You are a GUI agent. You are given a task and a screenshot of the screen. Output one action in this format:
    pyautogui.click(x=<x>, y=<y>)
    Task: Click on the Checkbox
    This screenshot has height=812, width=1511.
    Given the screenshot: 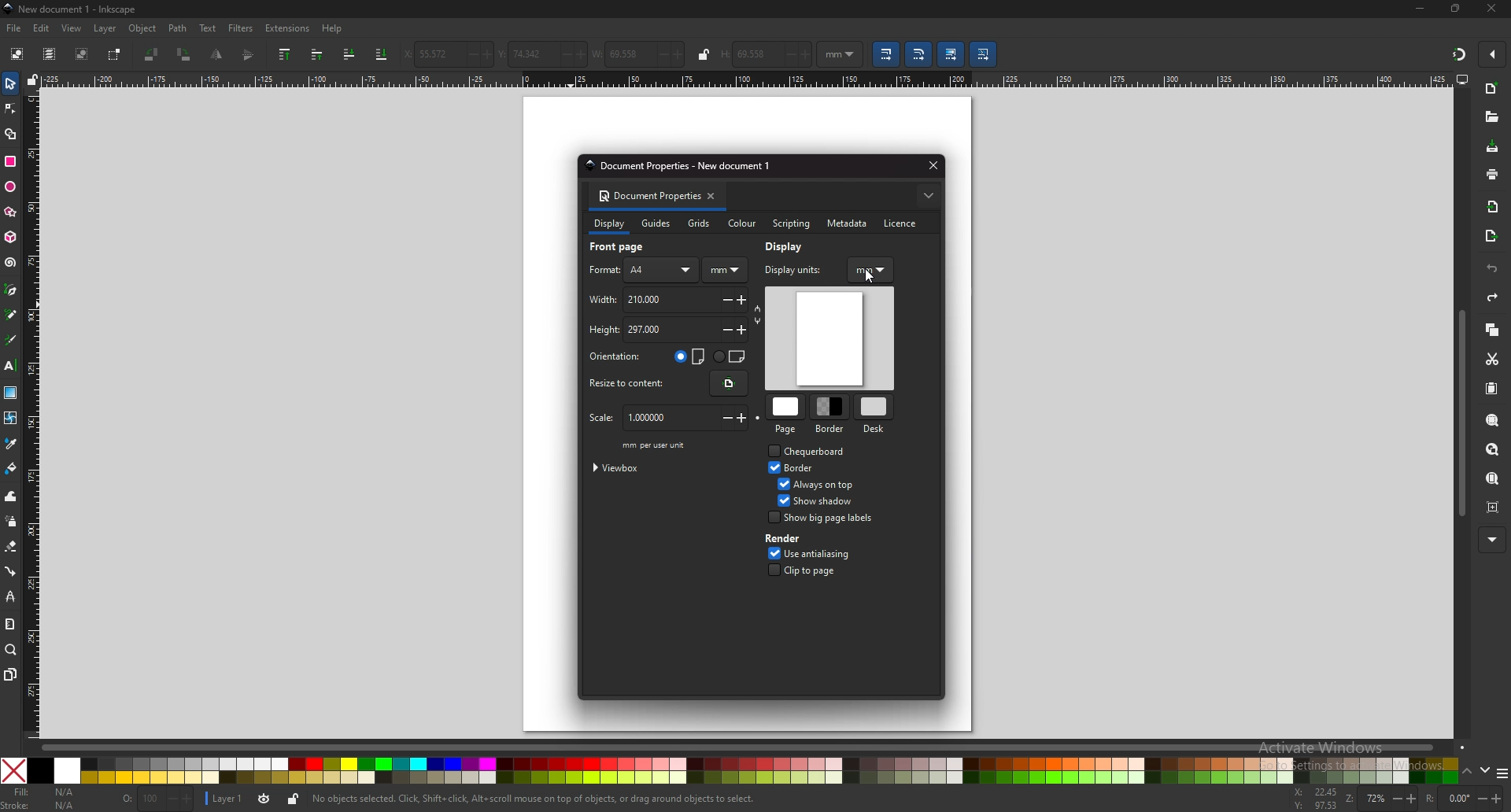 What is the action you would take?
    pyautogui.click(x=770, y=552)
    